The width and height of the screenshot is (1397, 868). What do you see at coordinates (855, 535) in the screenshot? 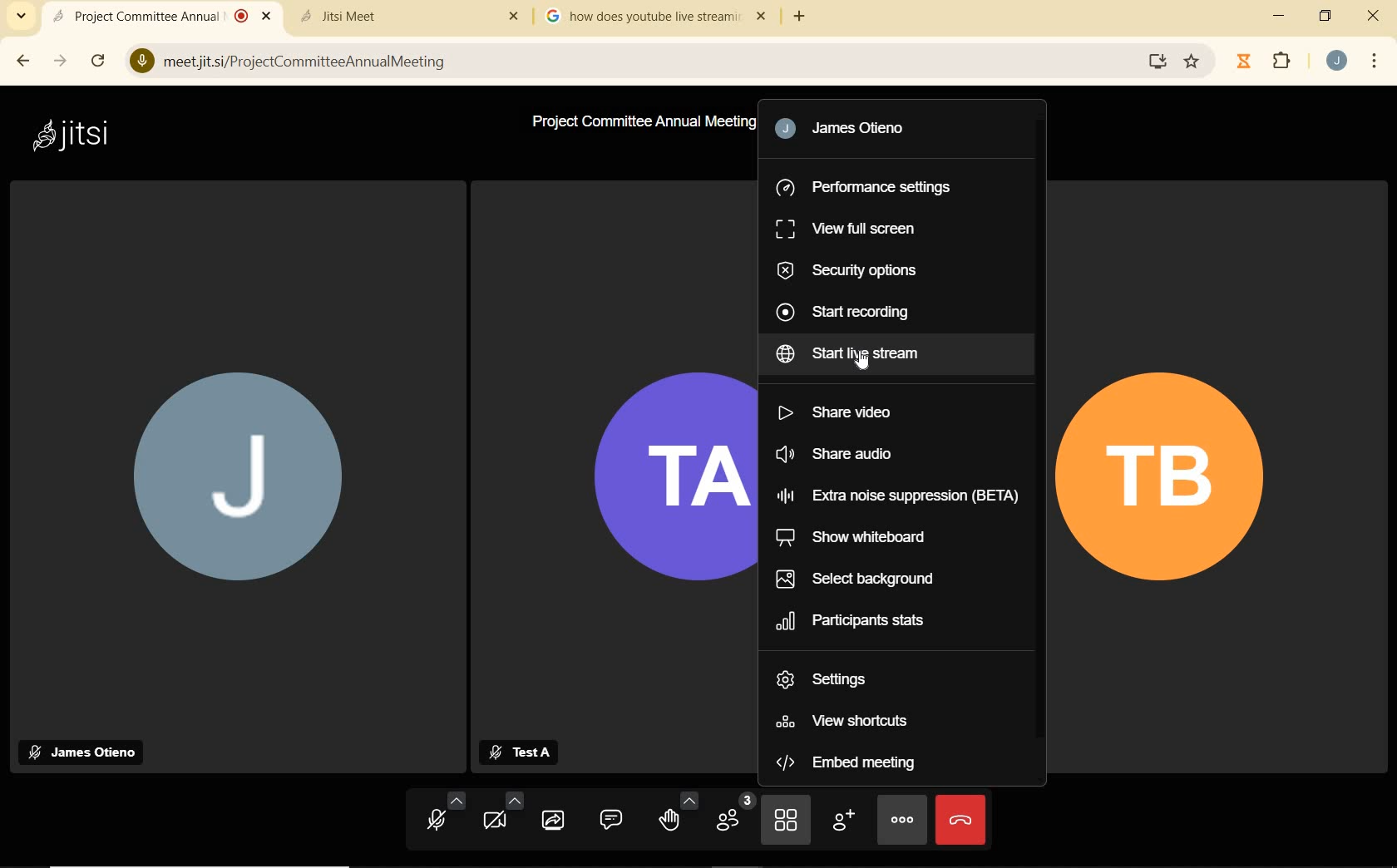
I see `SHOW WHITEBOARD` at bounding box center [855, 535].